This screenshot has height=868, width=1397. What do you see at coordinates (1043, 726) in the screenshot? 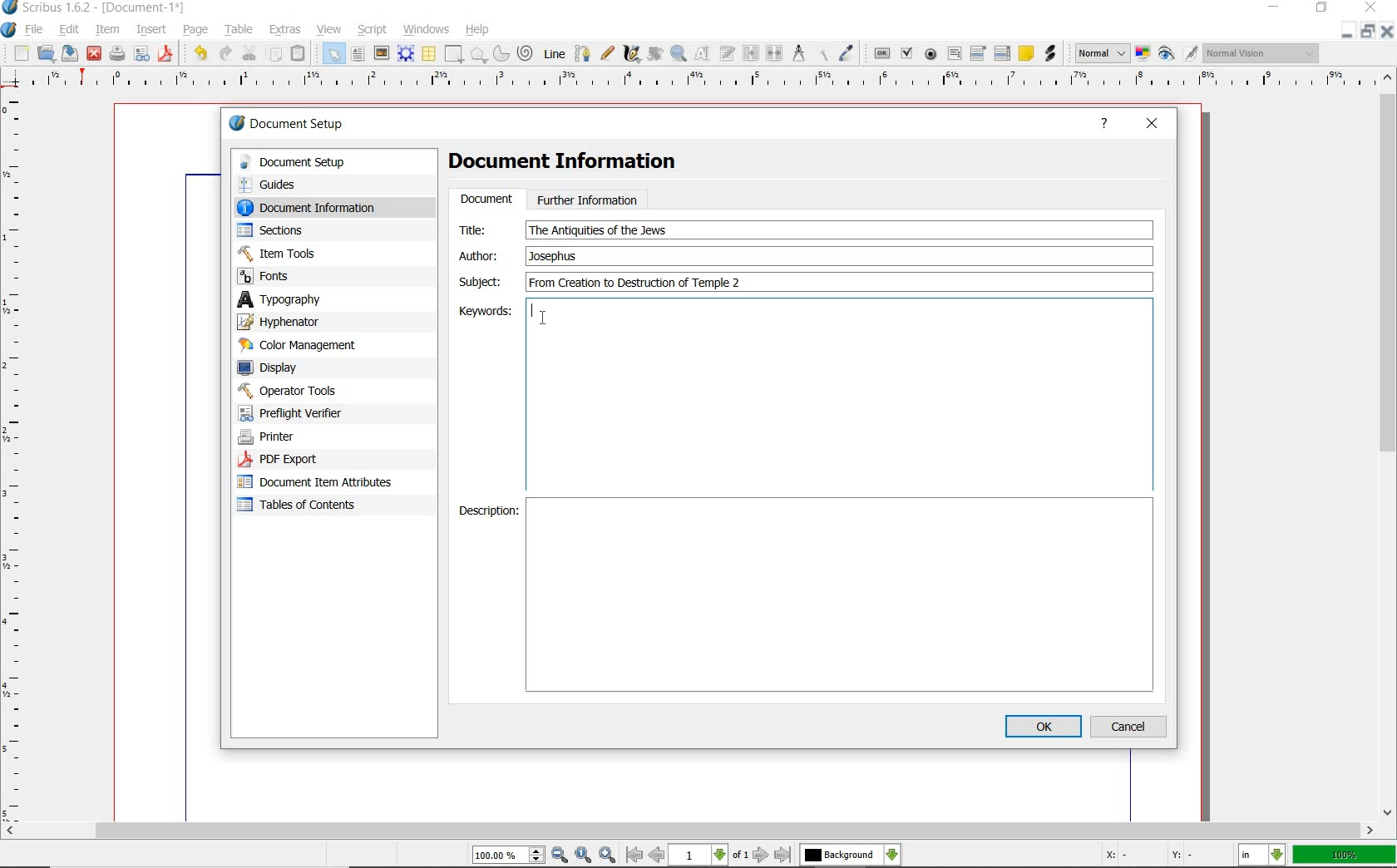
I see `ok` at bounding box center [1043, 726].